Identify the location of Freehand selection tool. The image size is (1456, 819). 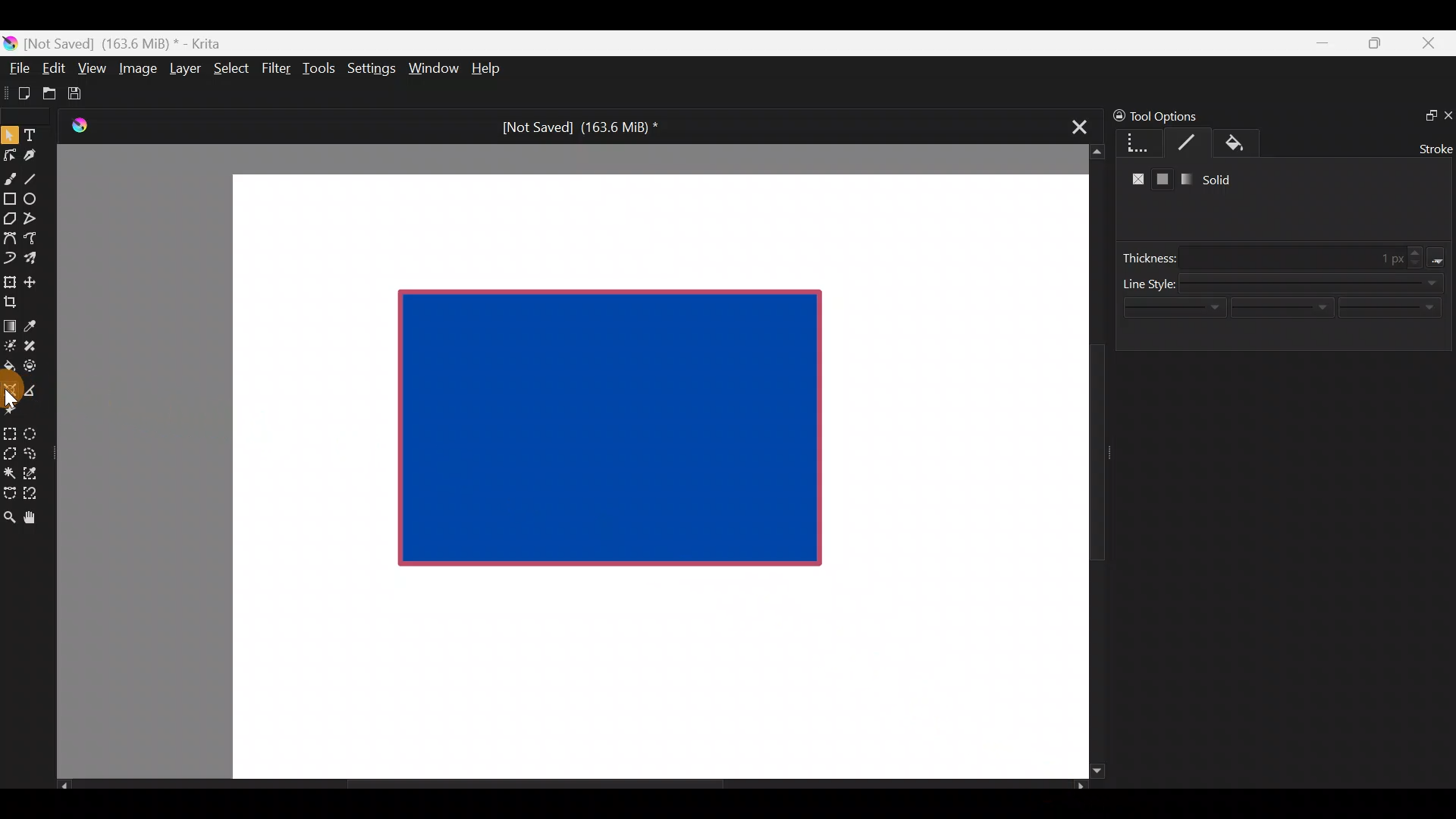
(33, 452).